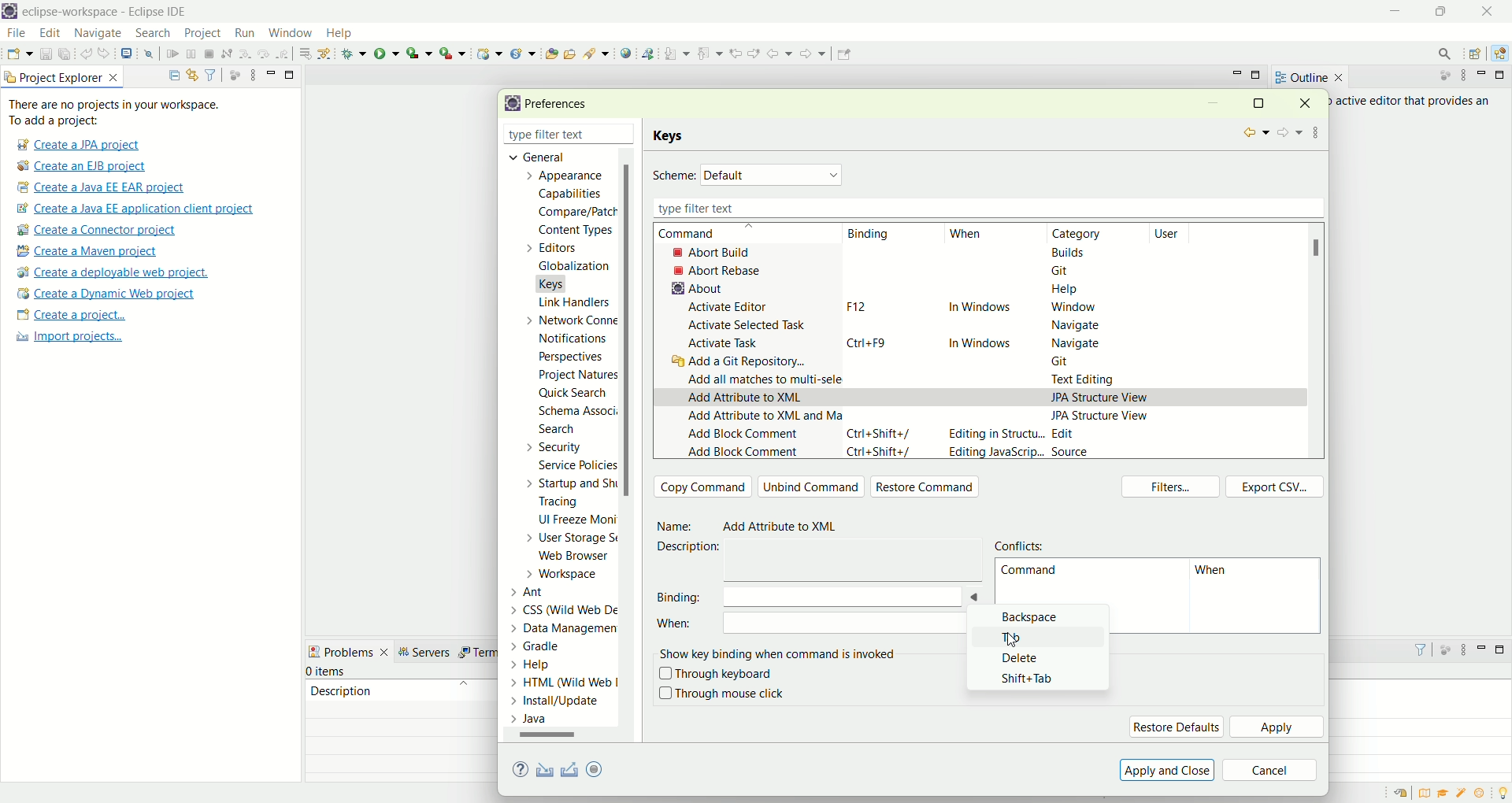 This screenshot has height=803, width=1512. What do you see at coordinates (561, 247) in the screenshot?
I see `editors` at bounding box center [561, 247].